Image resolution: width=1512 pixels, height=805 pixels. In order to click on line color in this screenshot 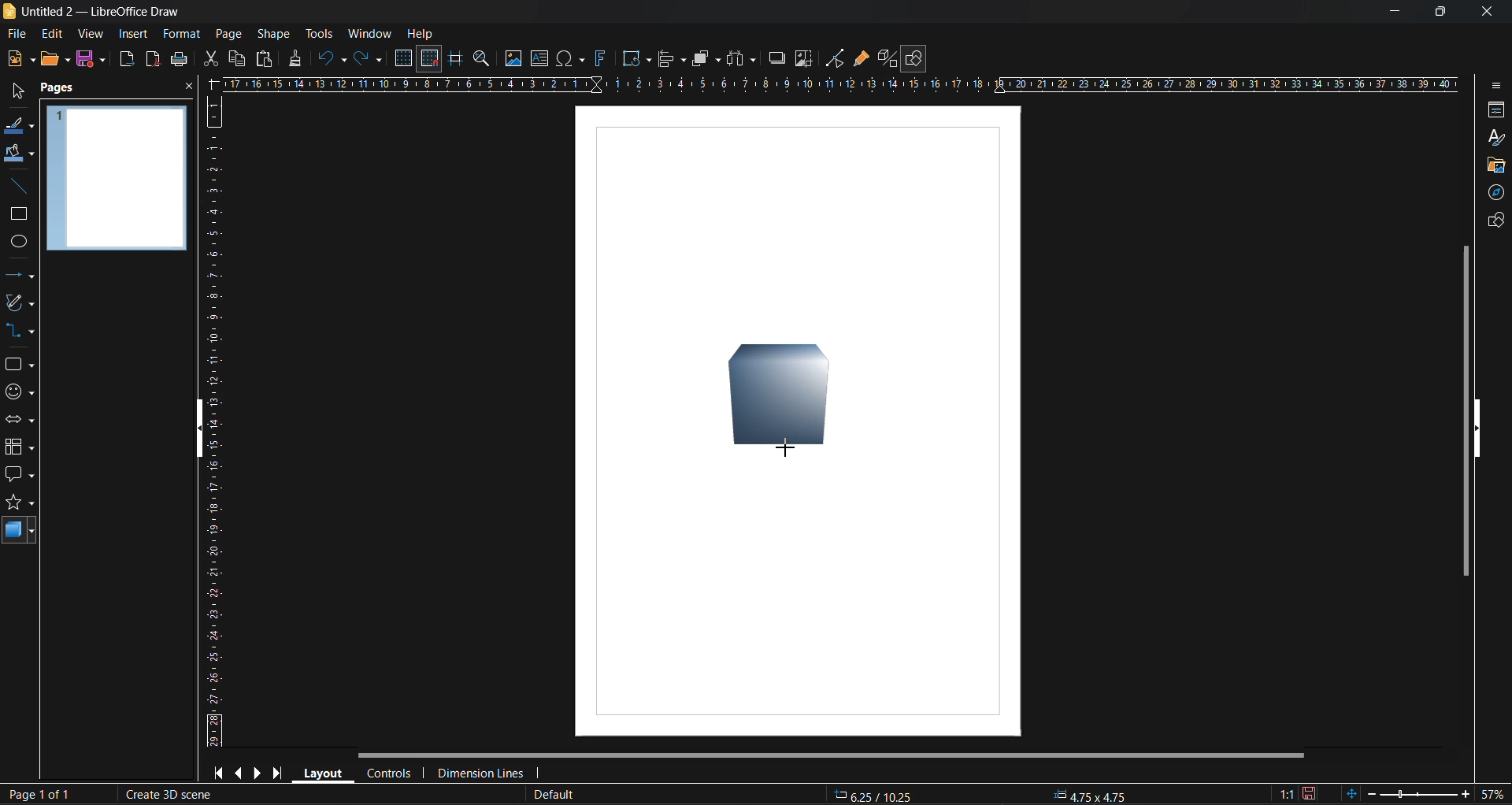, I will do `click(17, 127)`.